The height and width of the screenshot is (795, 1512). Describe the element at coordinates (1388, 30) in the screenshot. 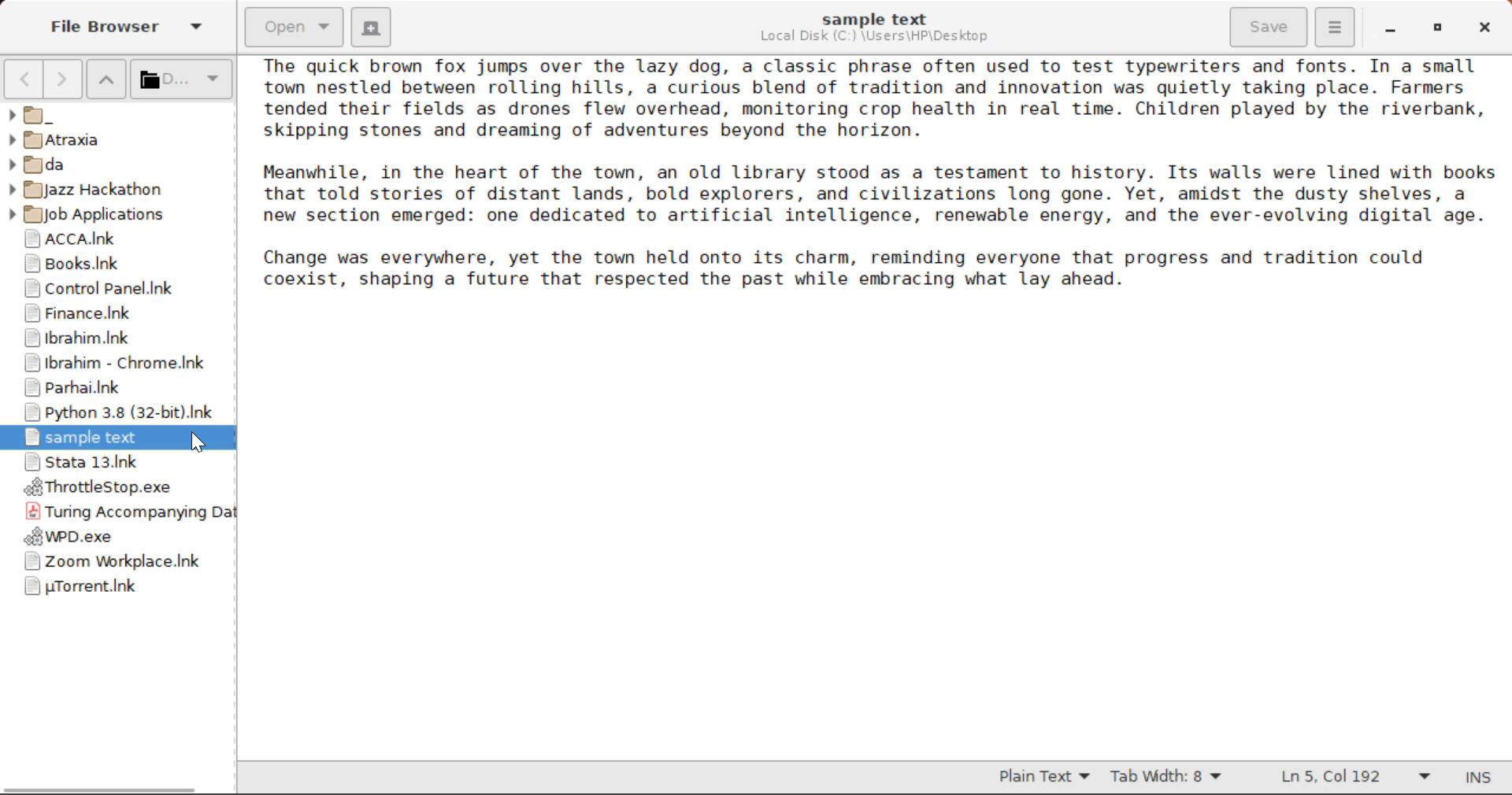

I see `Restore Down` at that location.